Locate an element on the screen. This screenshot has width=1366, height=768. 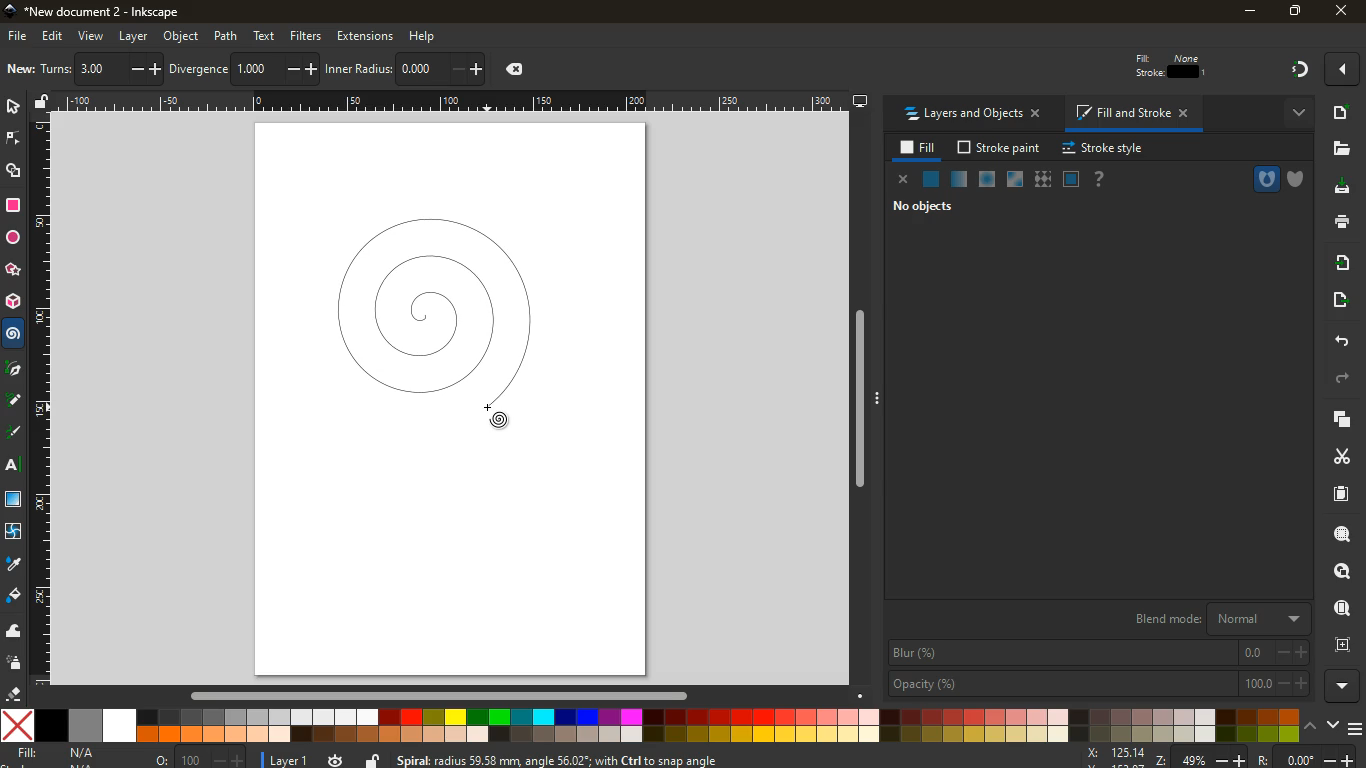
blur is located at coordinates (1098, 653).